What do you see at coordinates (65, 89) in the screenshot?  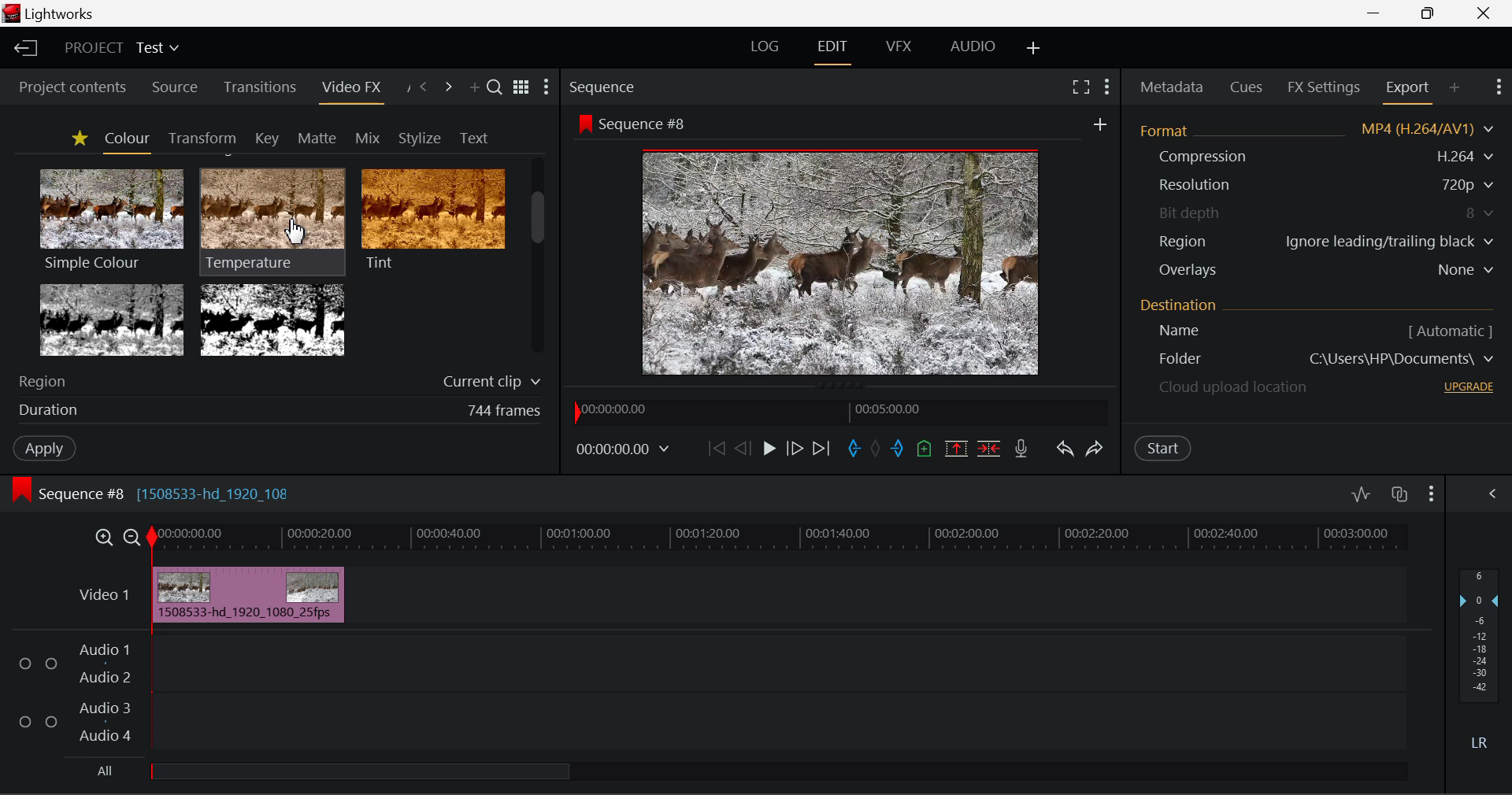 I see `Project contents` at bounding box center [65, 89].